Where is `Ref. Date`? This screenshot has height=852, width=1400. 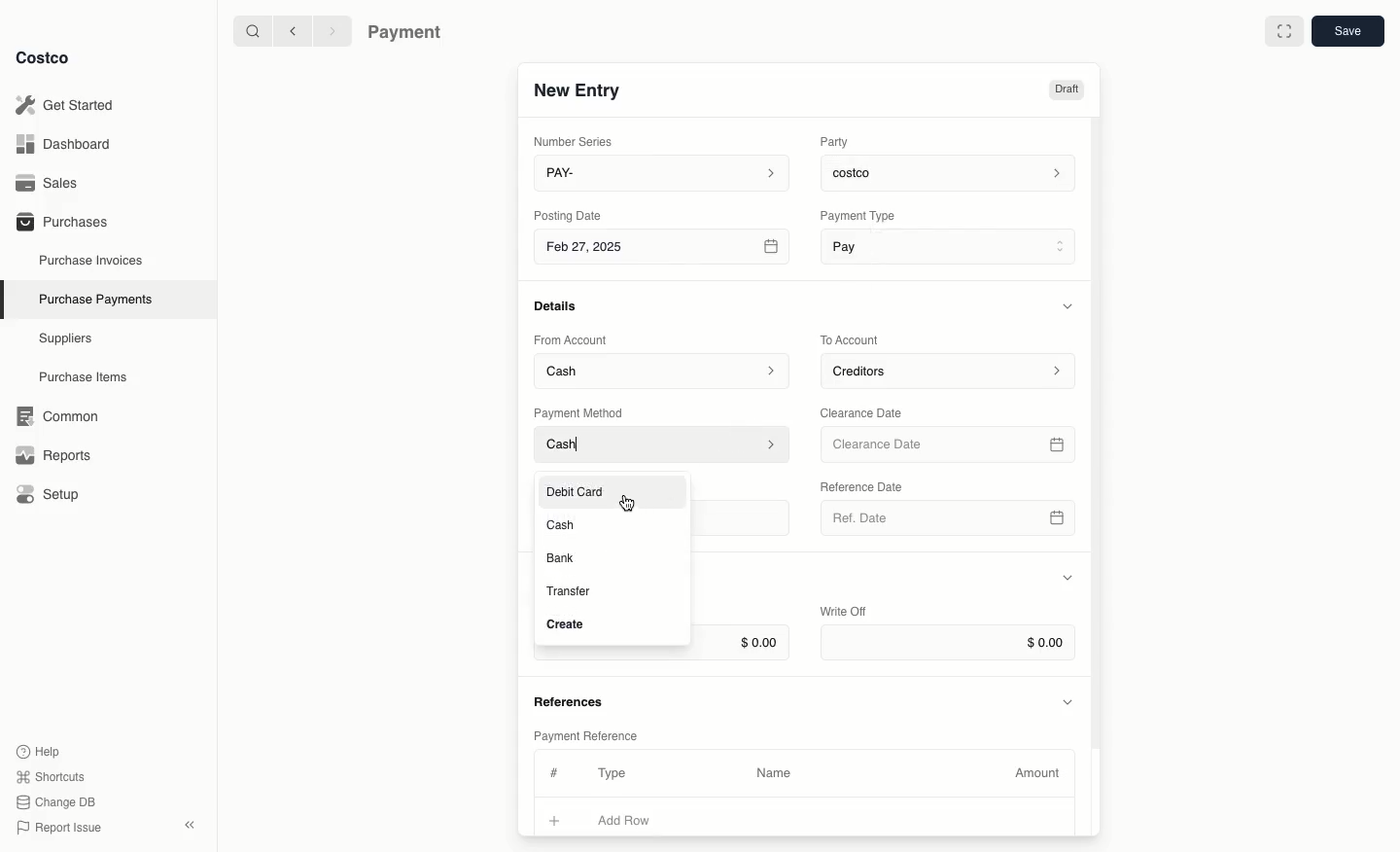
Ref. Date is located at coordinates (947, 523).